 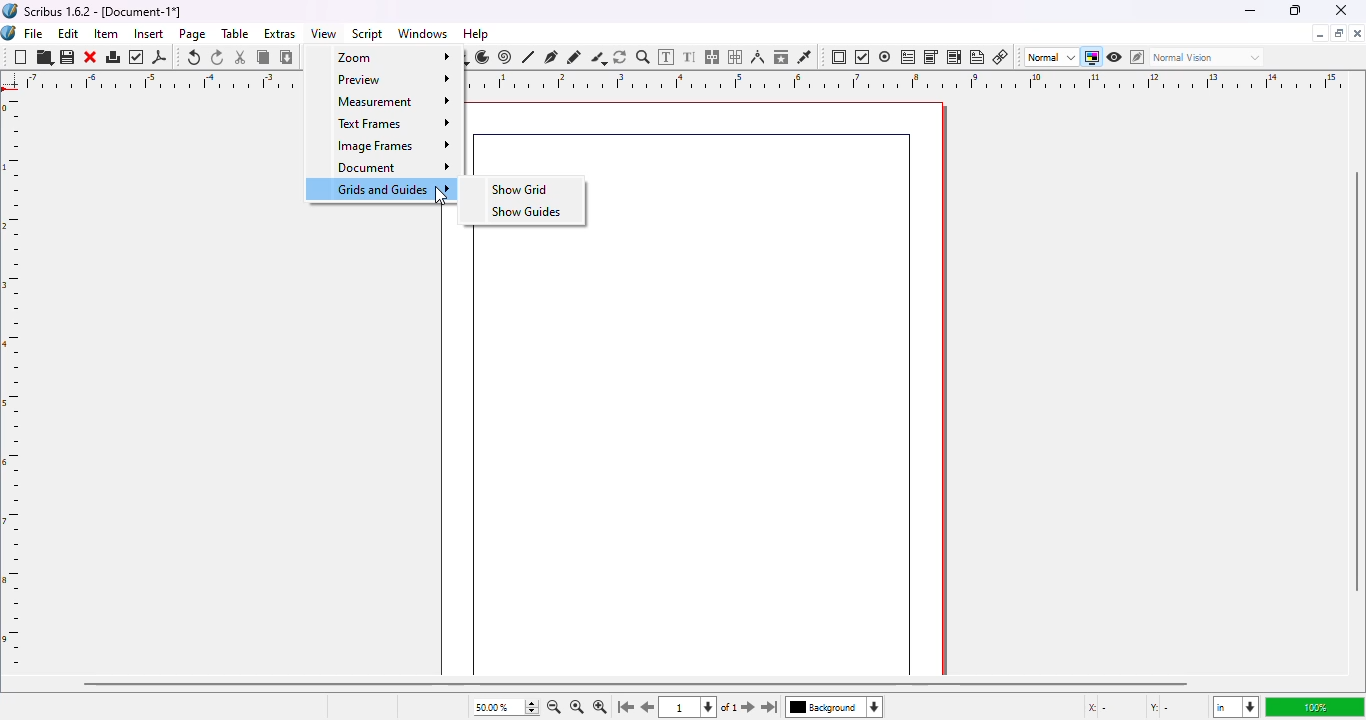 What do you see at coordinates (667, 56) in the screenshot?
I see `edit contents in frame` at bounding box center [667, 56].